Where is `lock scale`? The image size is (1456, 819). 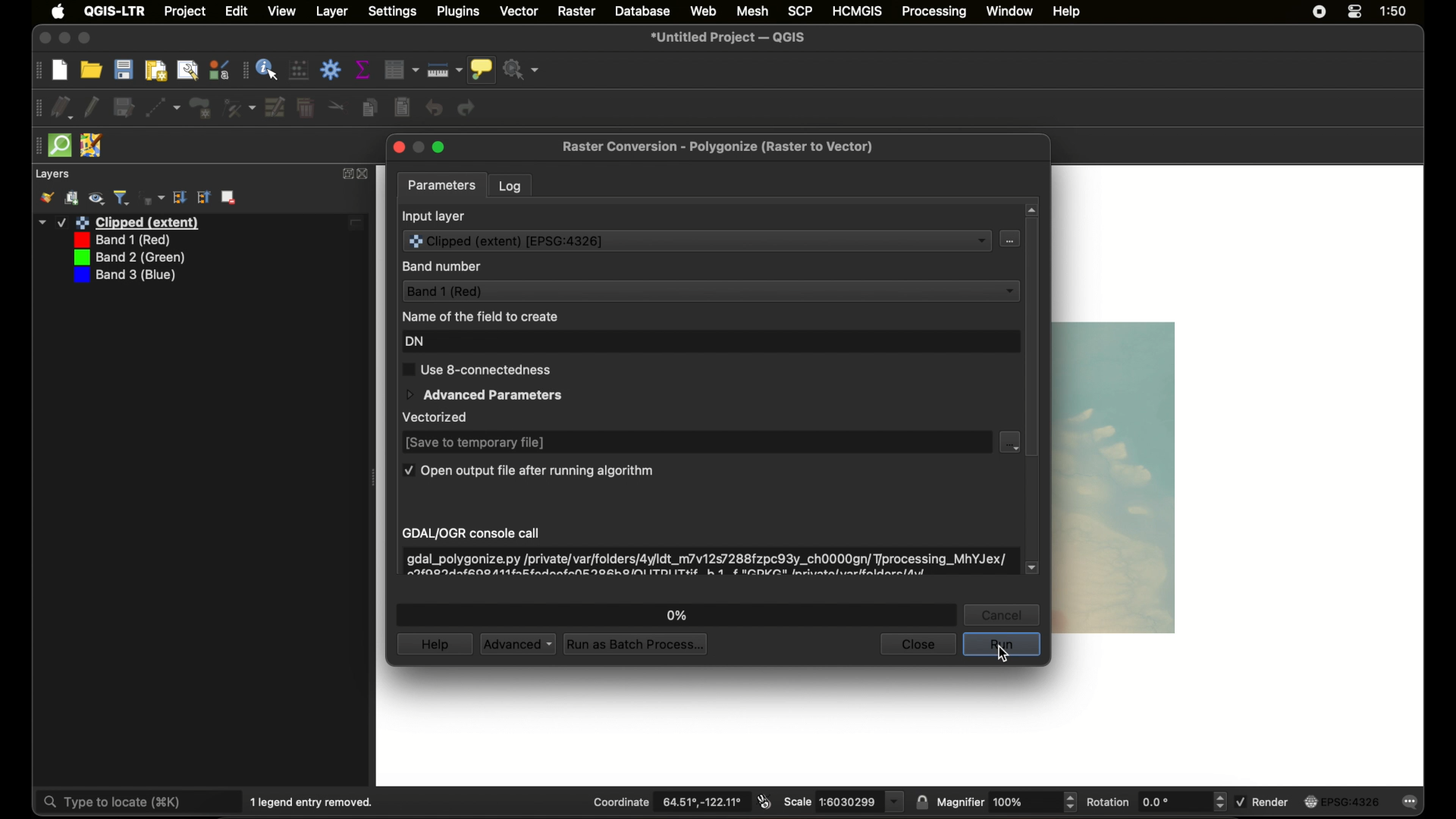 lock scale is located at coordinates (921, 804).